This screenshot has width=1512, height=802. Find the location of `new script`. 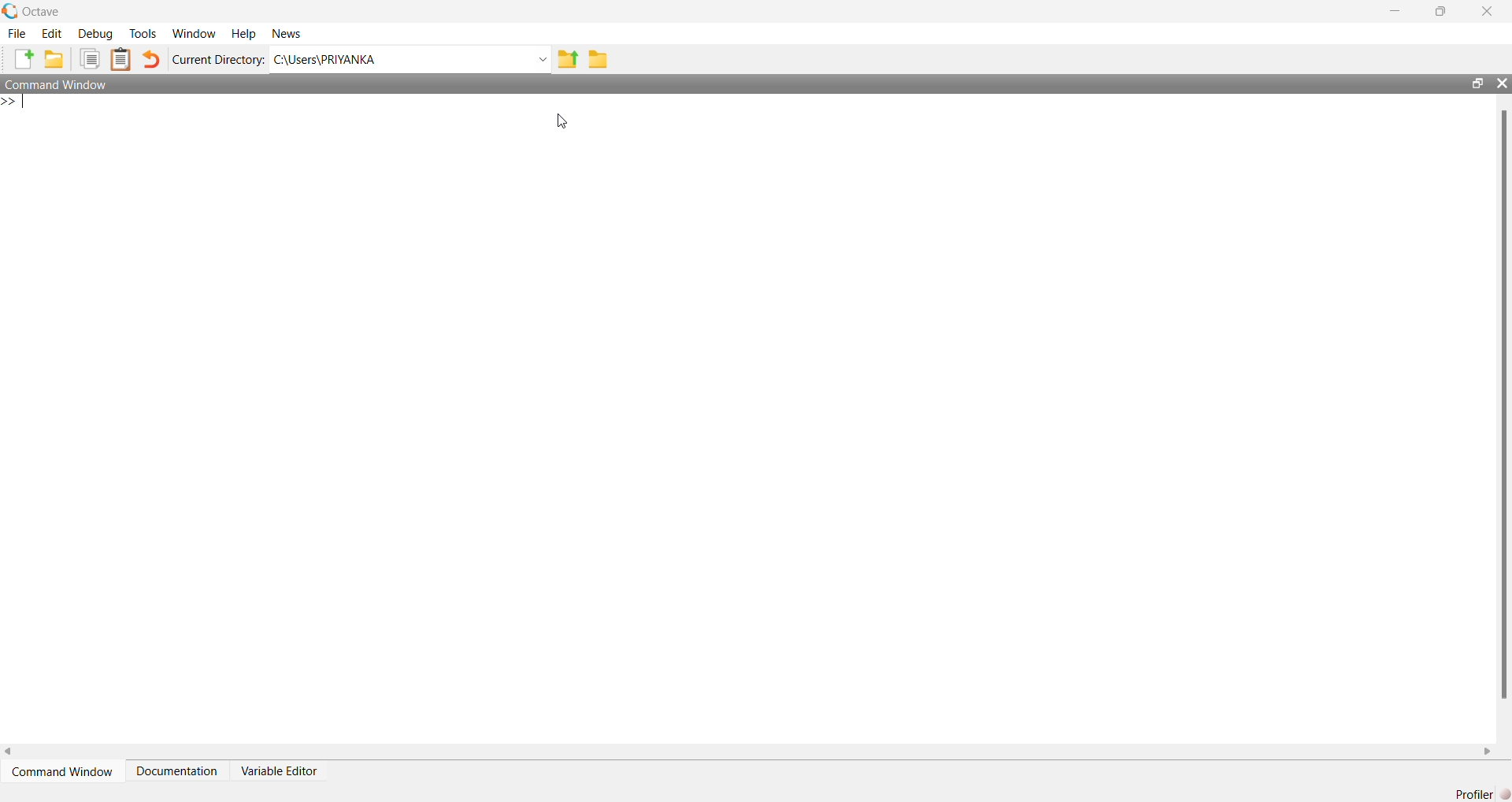

new script is located at coordinates (20, 61).